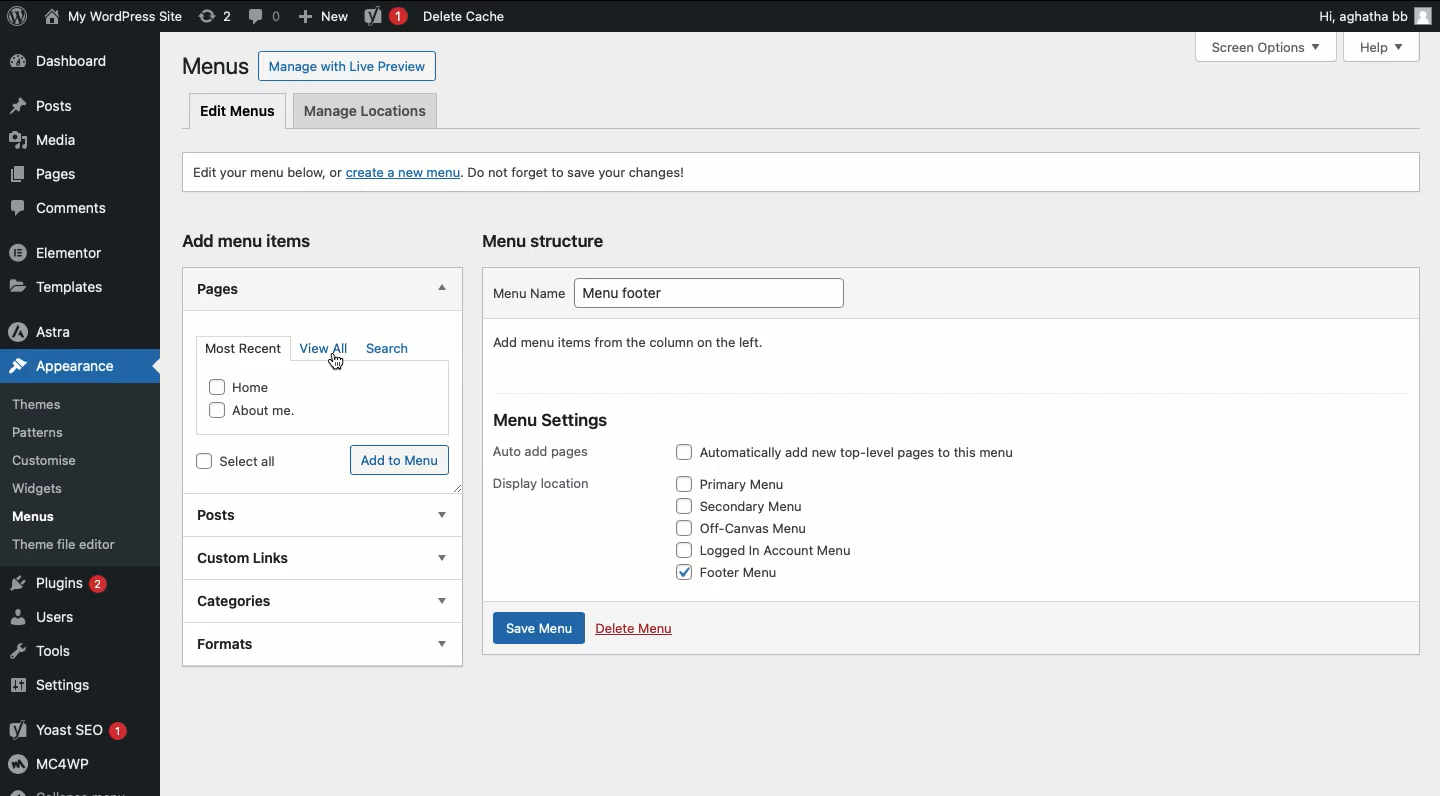 This screenshot has height=796, width=1440. I want to click on Astra, so click(71, 331).